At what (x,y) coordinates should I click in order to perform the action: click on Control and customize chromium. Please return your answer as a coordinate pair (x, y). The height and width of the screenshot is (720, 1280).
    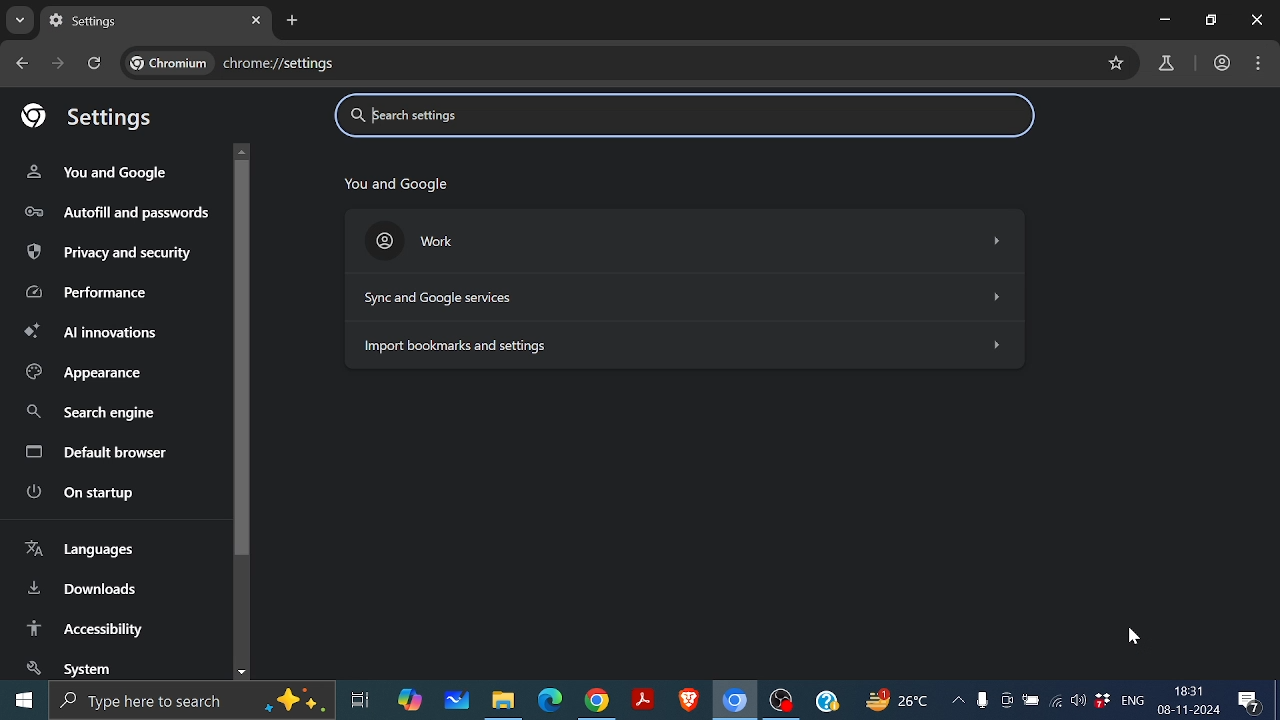
    Looking at the image, I should click on (1259, 63).